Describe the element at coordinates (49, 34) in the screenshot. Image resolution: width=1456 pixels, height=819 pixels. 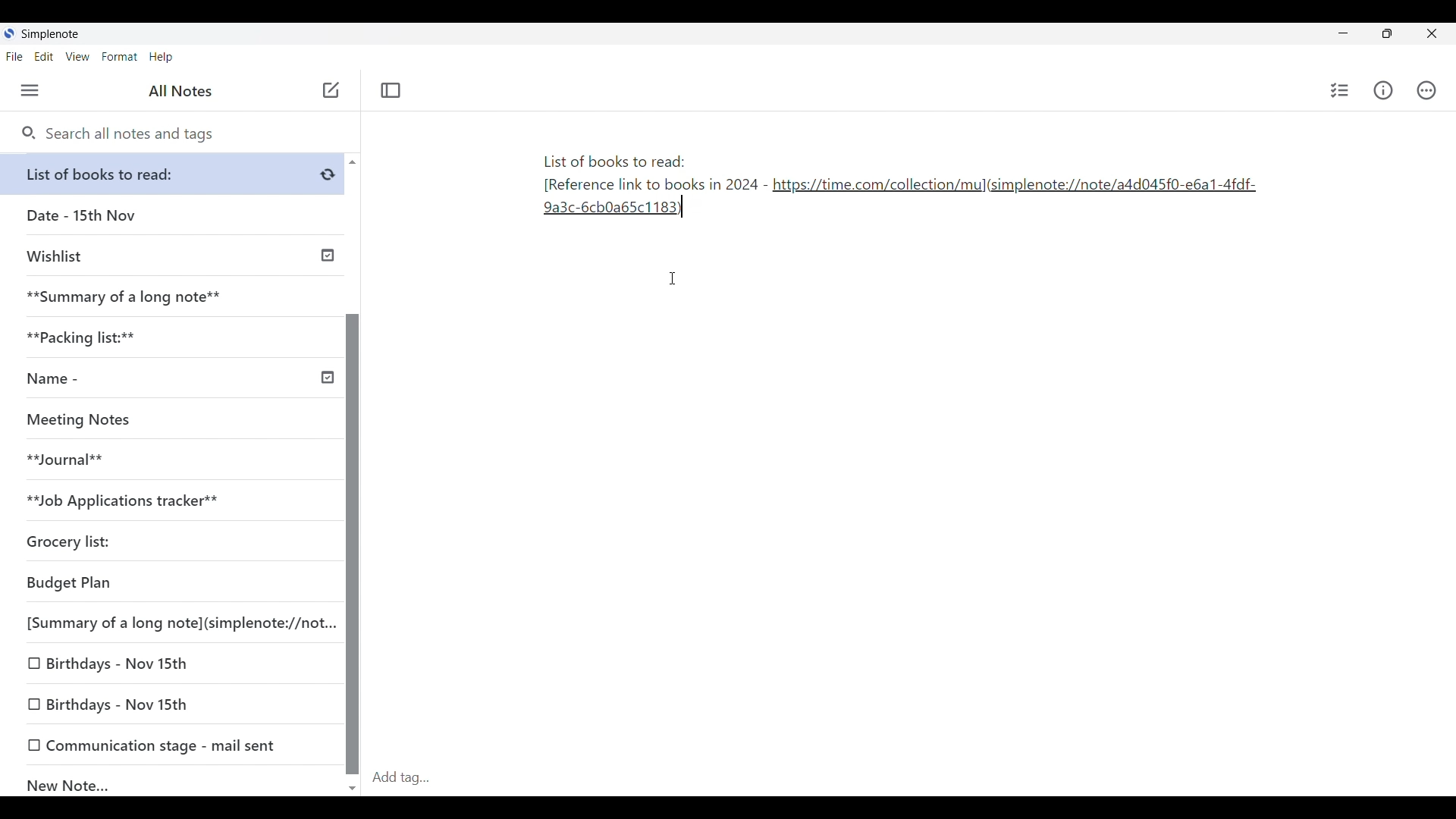
I see `Simplenote` at that location.